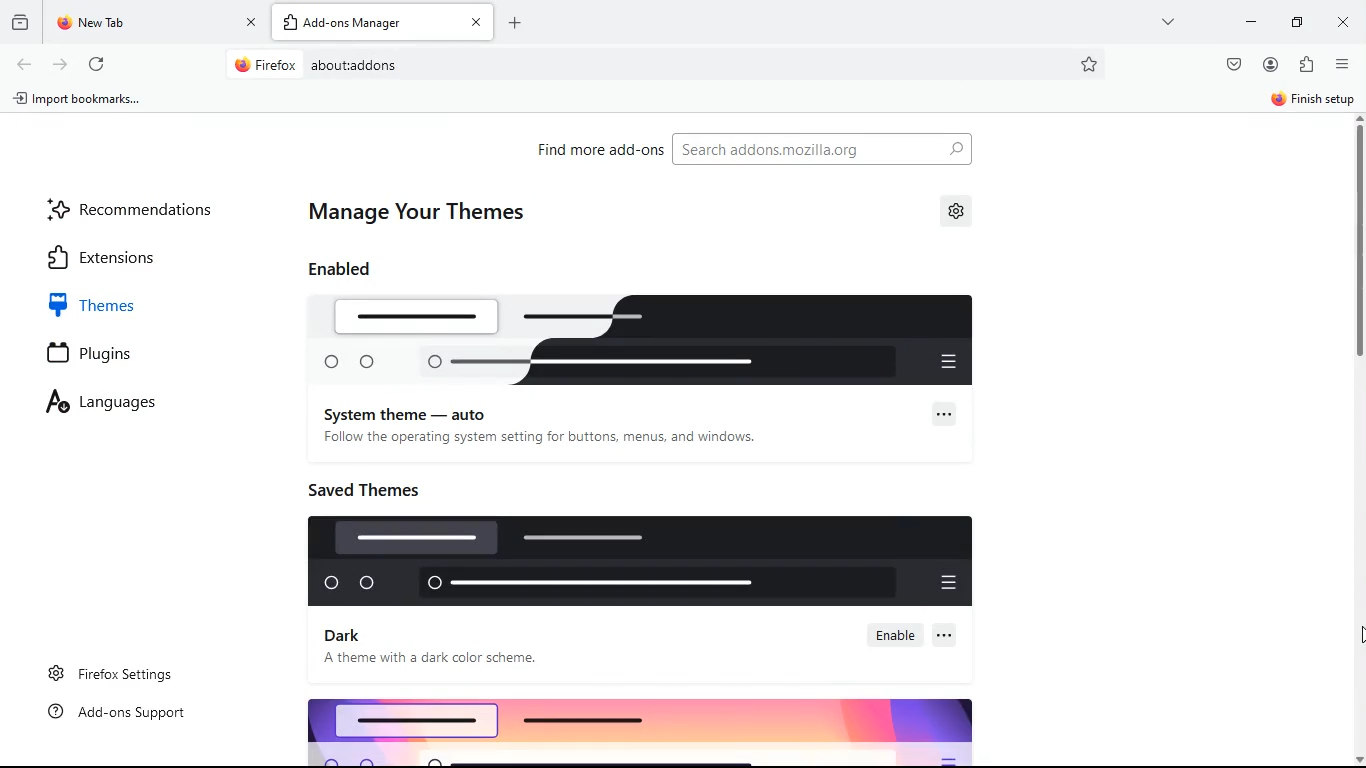 This screenshot has height=768, width=1366. I want to click on Firefox, so click(266, 64).